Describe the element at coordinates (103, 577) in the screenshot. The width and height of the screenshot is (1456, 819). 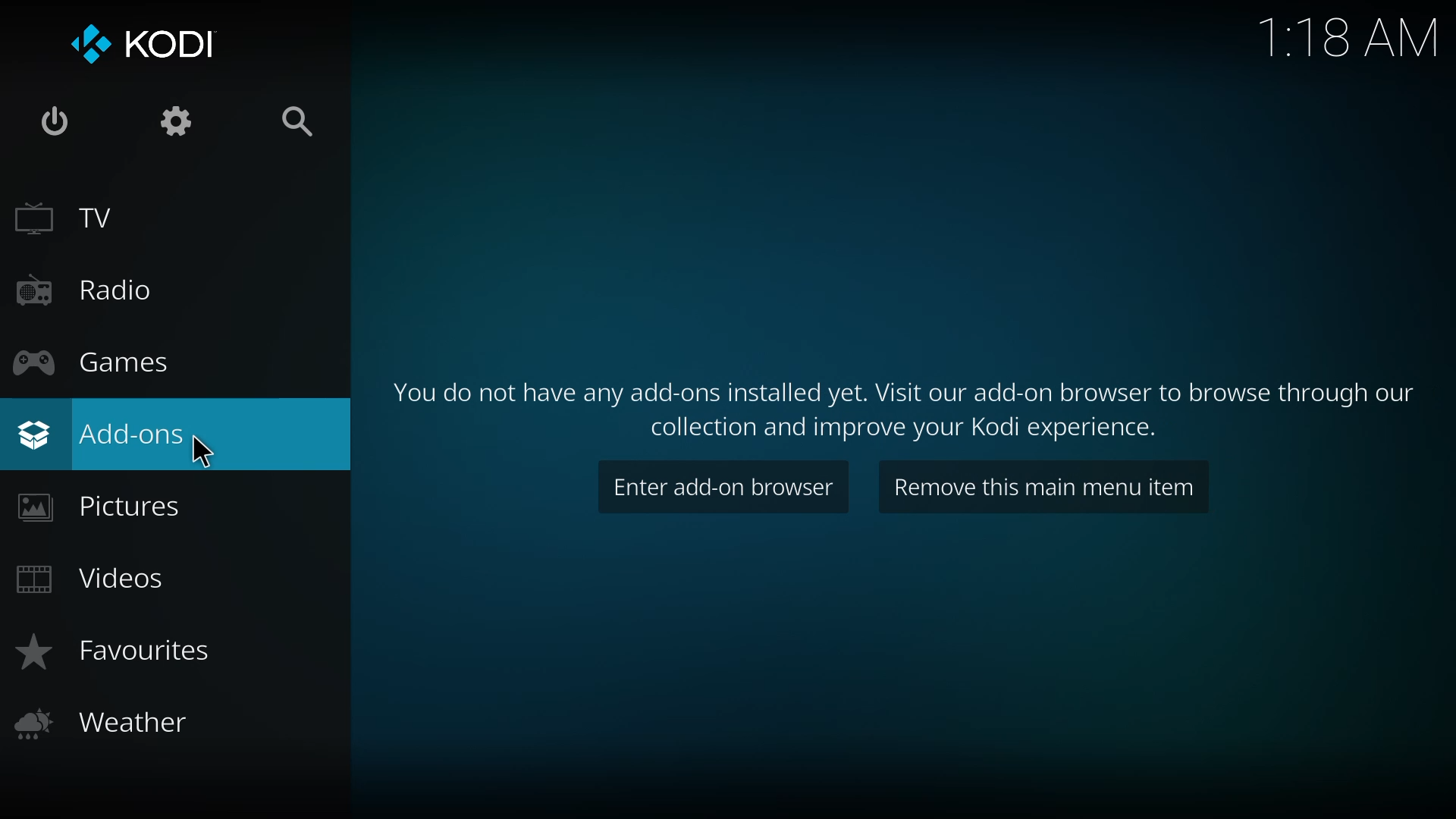
I see `videos` at that location.